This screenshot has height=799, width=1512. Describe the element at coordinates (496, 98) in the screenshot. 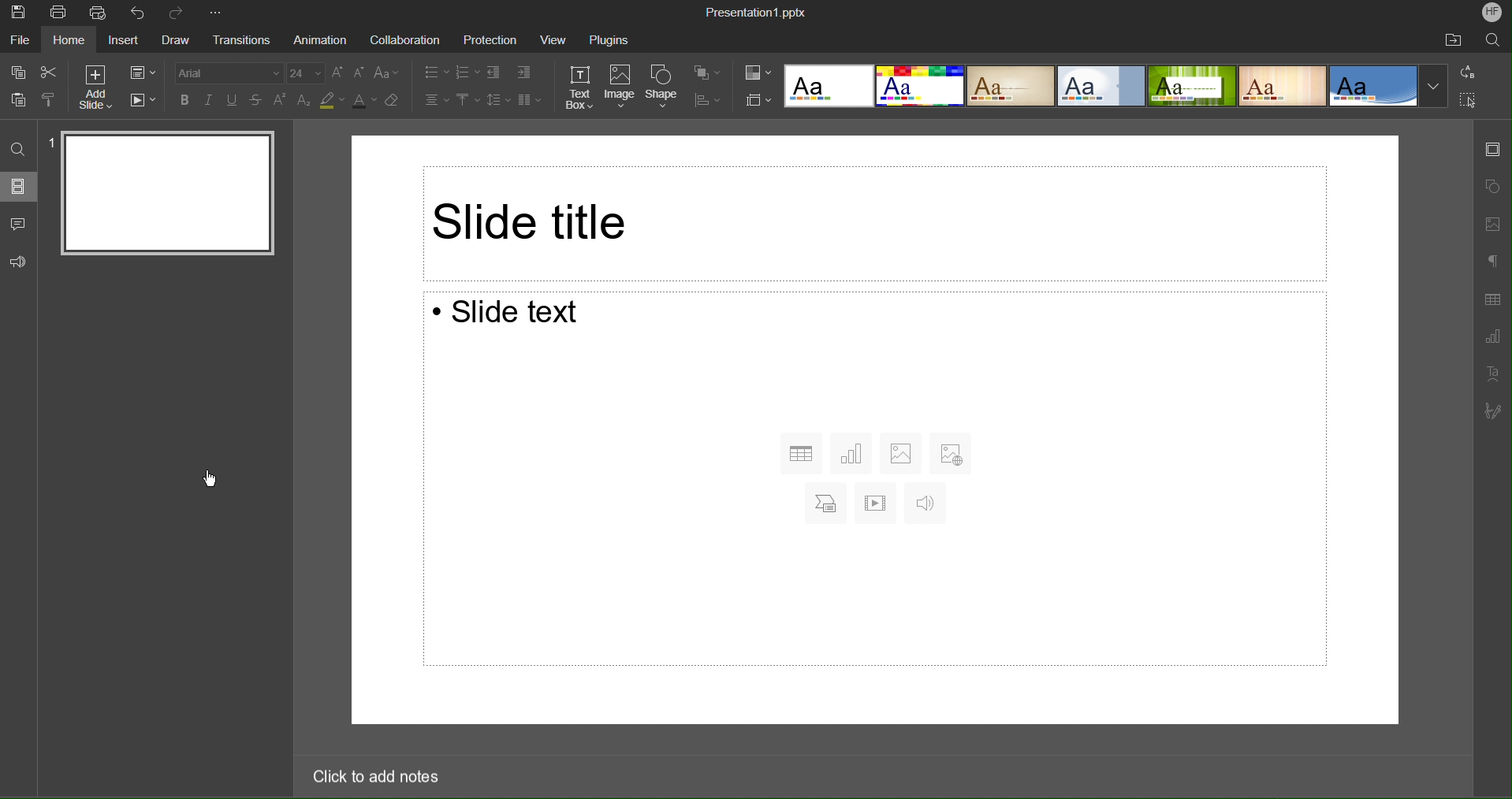

I see `Line Spacing` at that location.